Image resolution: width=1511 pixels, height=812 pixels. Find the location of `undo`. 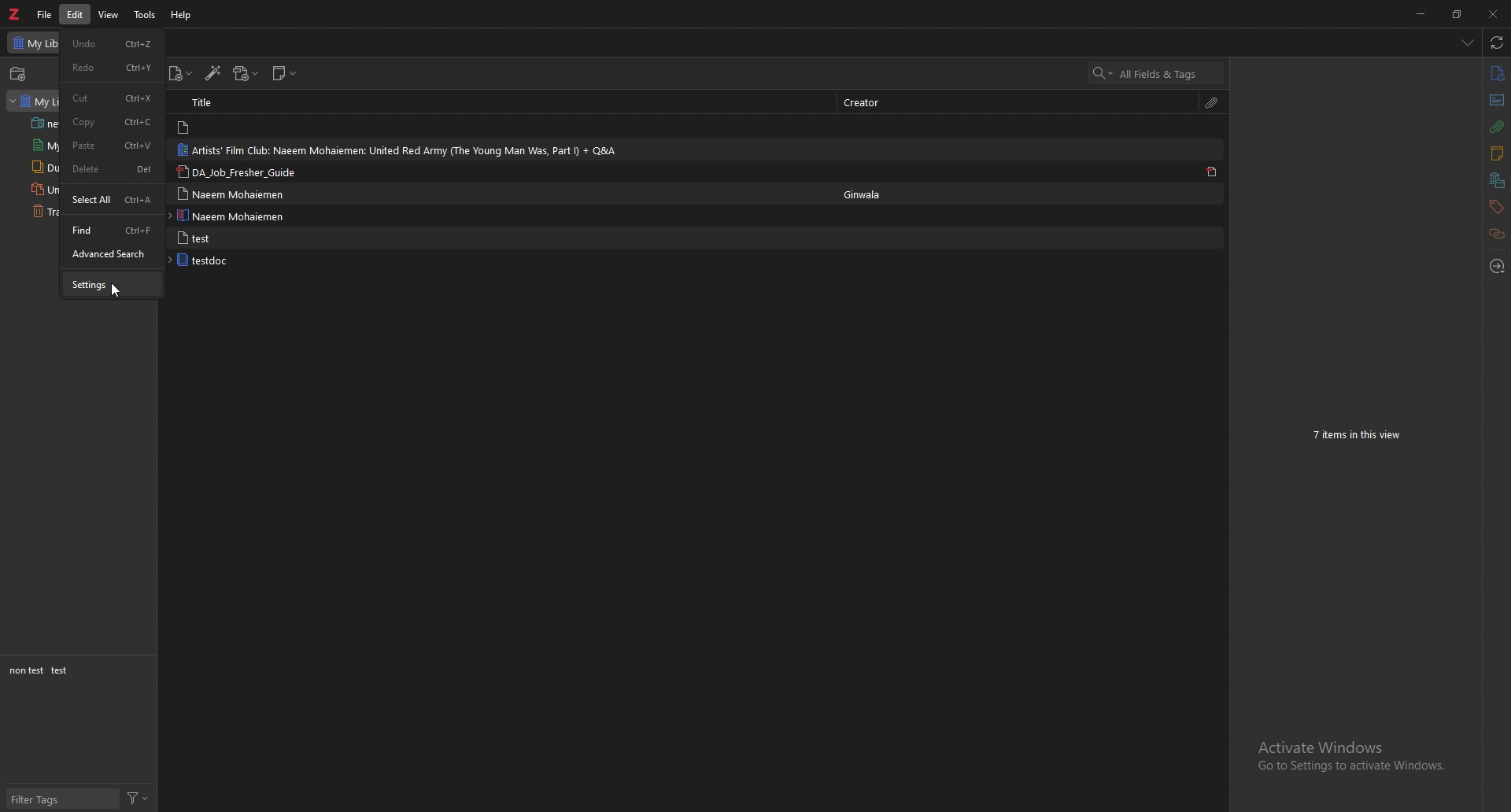

undo is located at coordinates (113, 42).